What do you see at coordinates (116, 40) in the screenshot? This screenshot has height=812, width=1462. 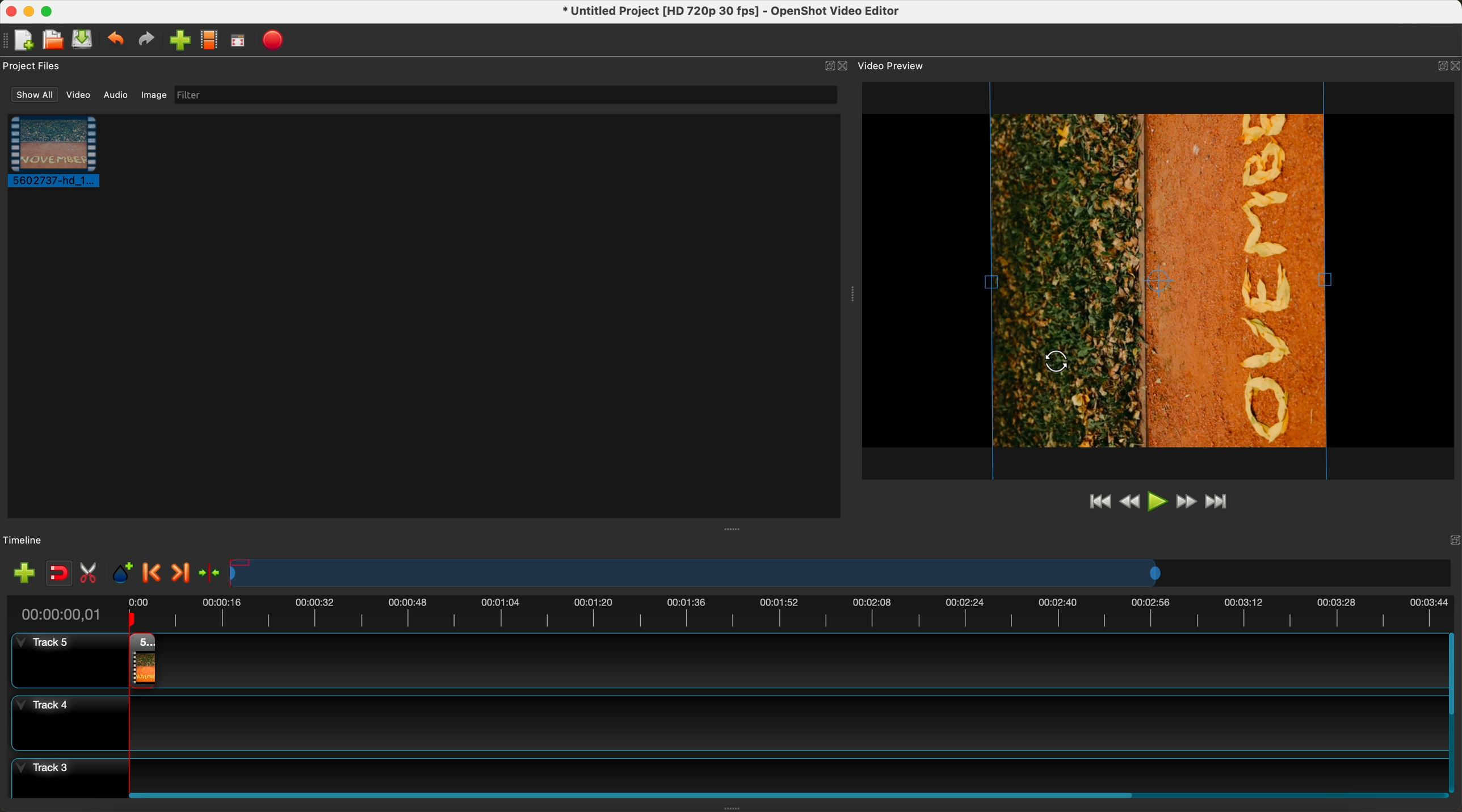 I see `undo` at bounding box center [116, 40].